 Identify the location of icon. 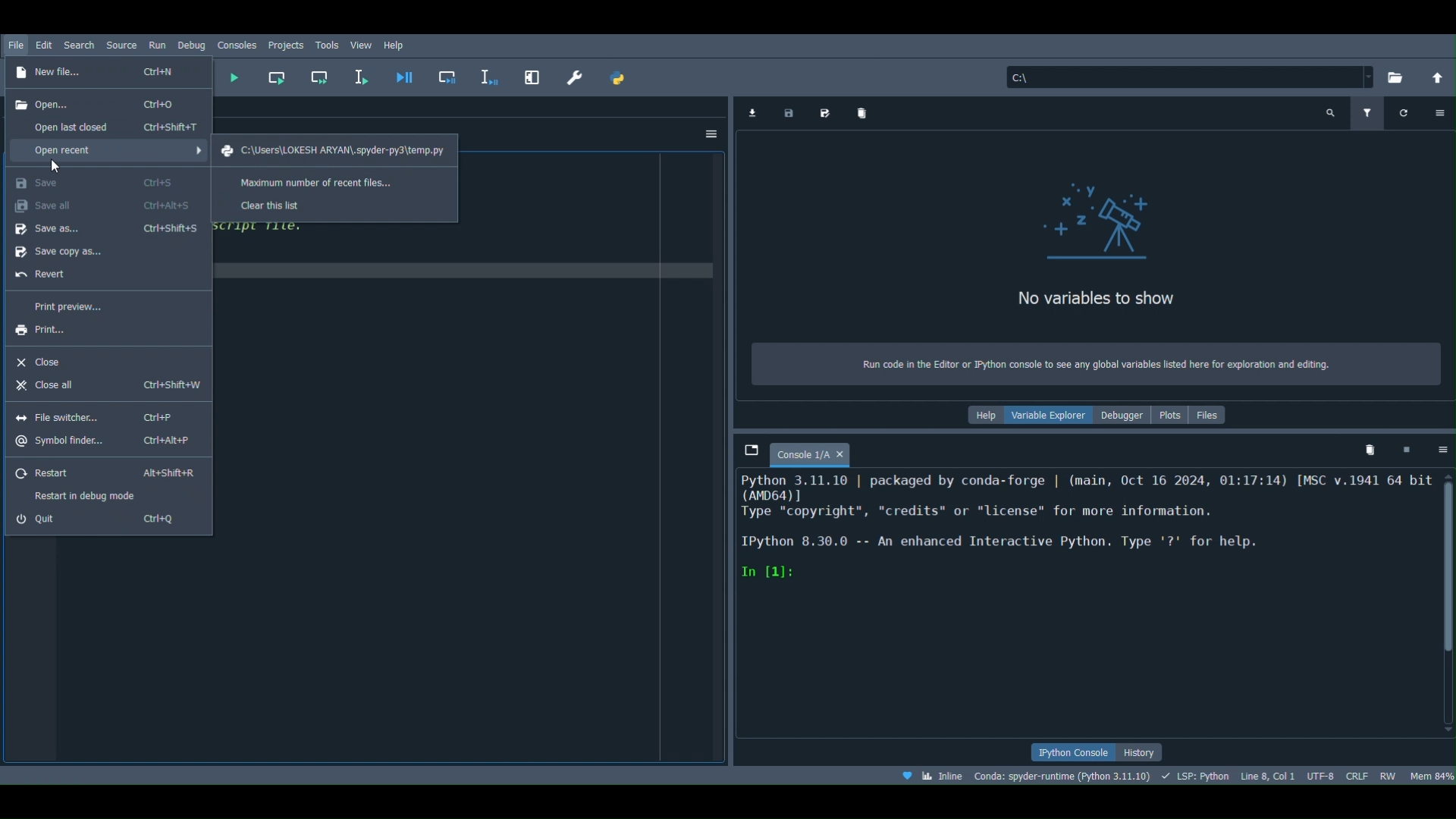
(1103, 215).